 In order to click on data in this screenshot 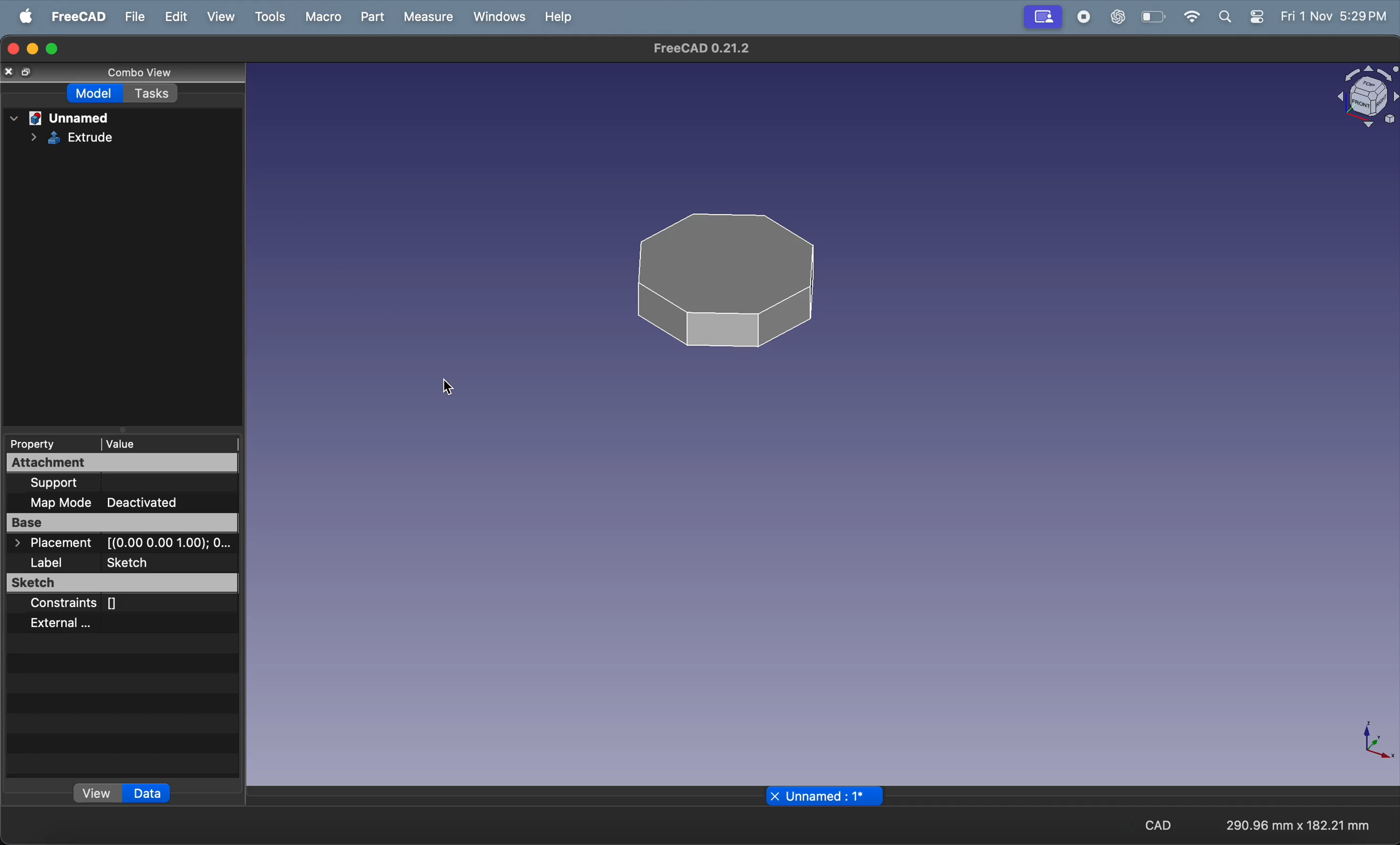, I will do `click(145, 794)`.